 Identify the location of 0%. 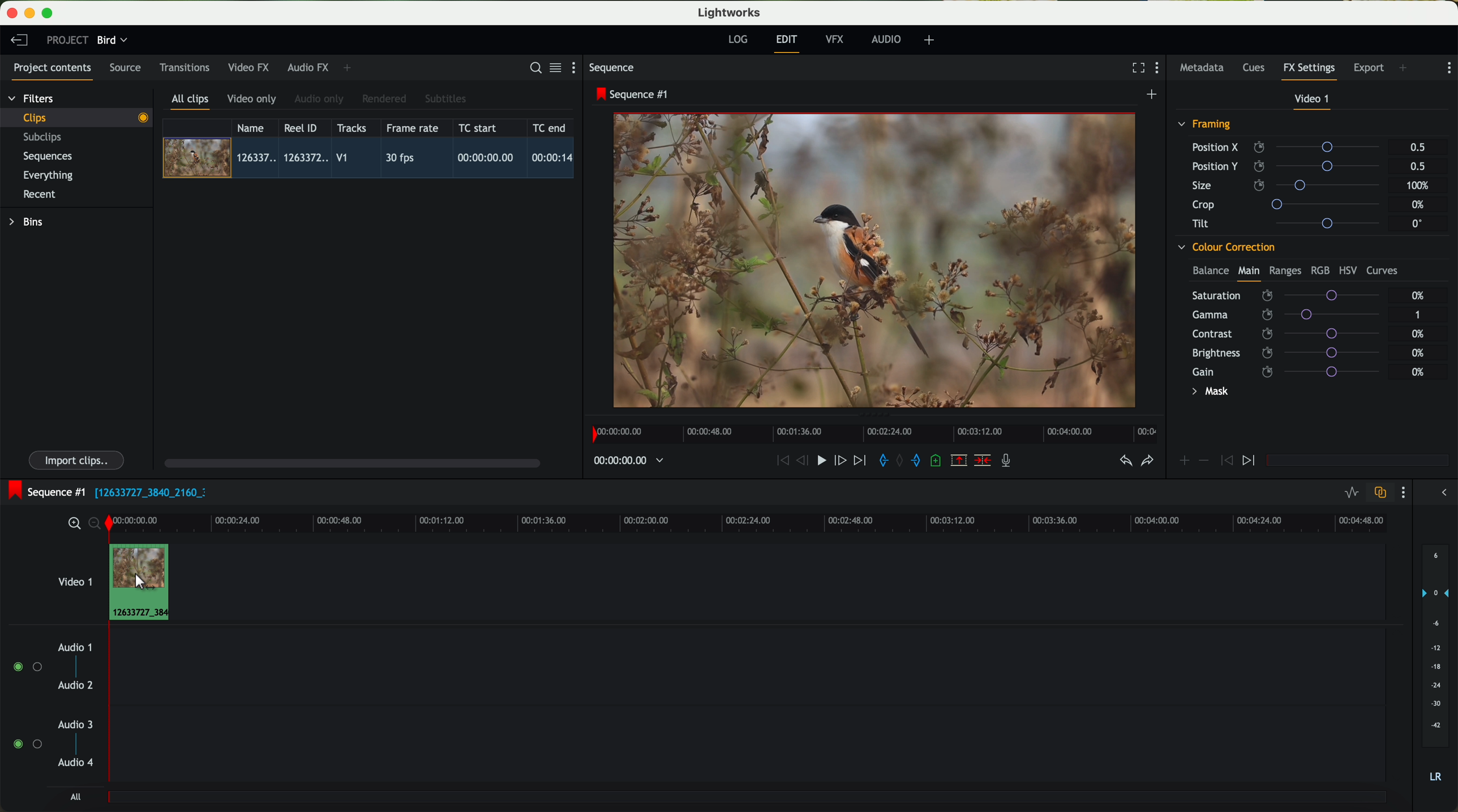
(1420, 334).